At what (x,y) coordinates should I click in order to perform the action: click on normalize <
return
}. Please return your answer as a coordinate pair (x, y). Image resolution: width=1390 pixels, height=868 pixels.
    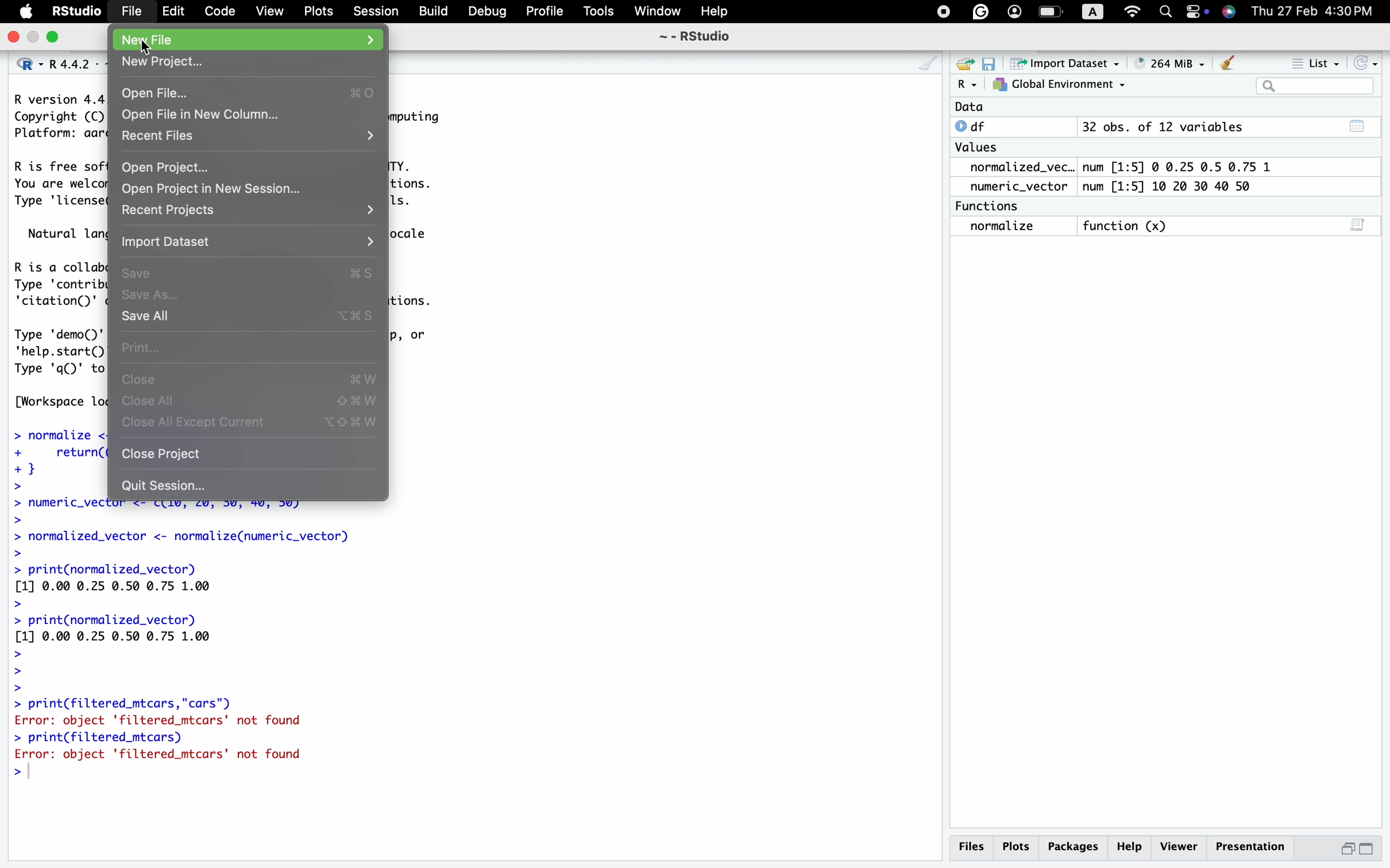
    Looking at the image, I should click on (55, 459).